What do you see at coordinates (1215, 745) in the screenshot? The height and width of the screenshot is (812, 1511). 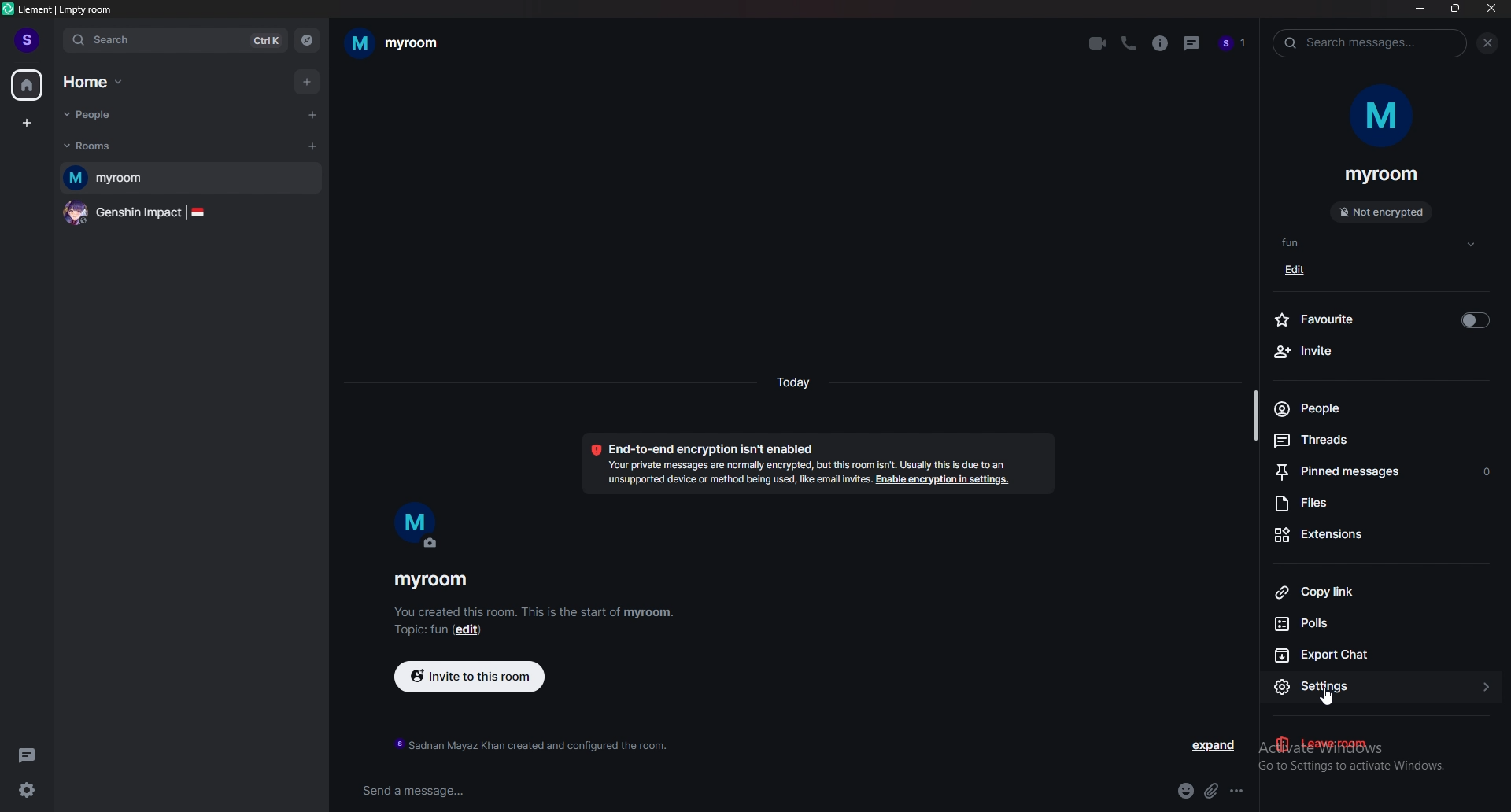 I see `expand` at bounding box center [1215, 745].